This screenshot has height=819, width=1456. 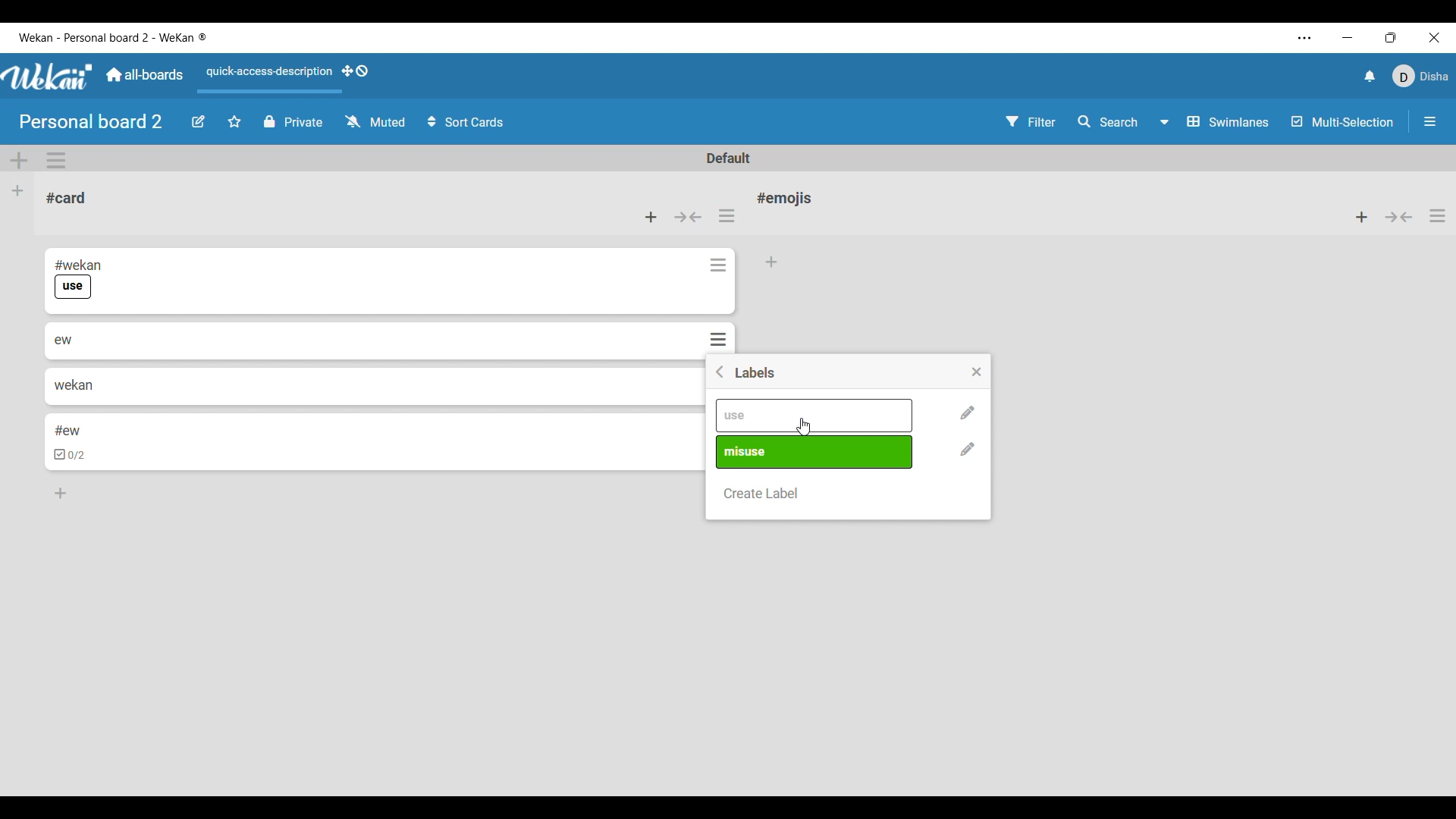 I want to click on Current account, so click(x=1420, y=76).